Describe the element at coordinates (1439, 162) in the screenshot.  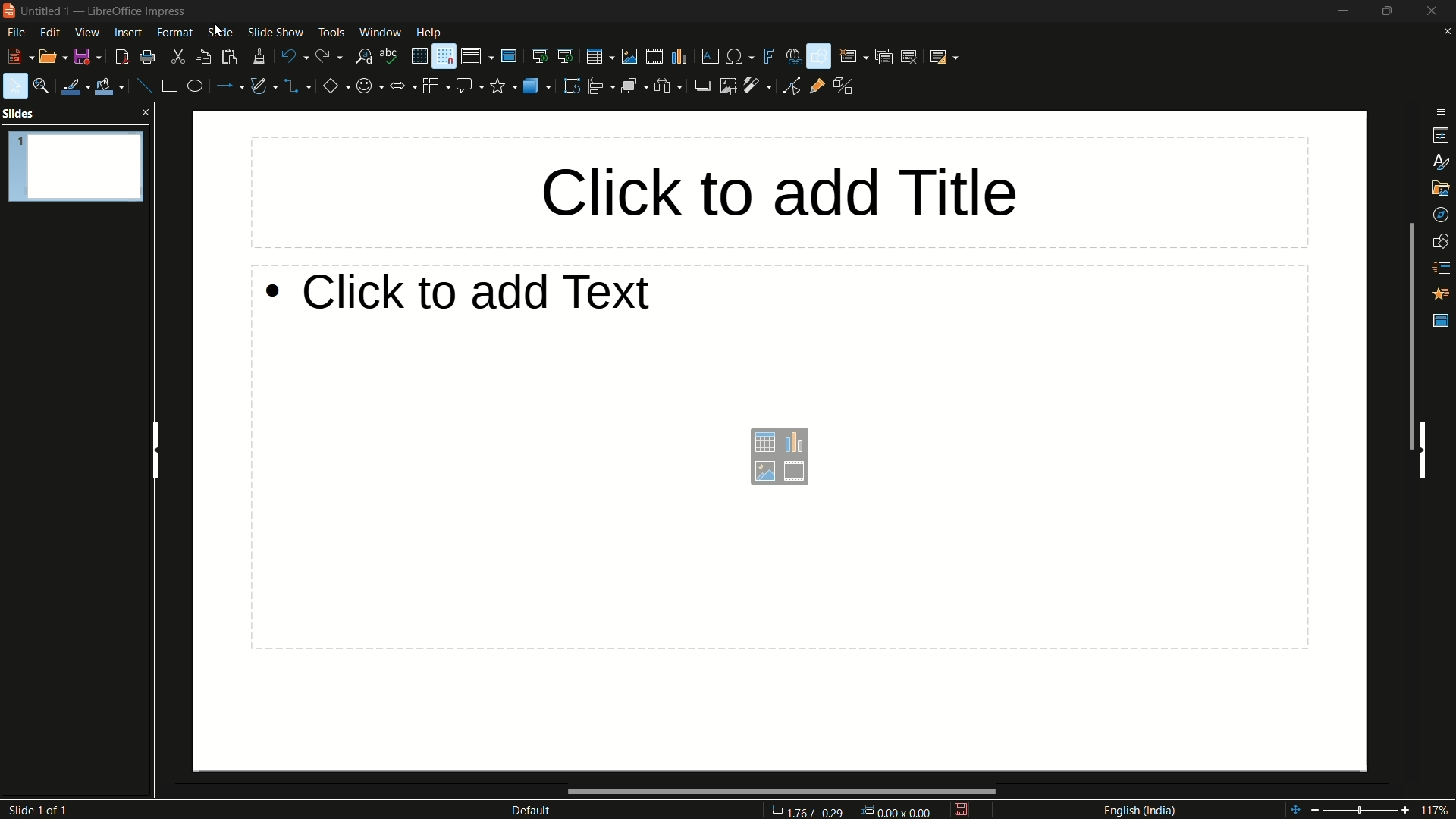
I see `styles` at that location.